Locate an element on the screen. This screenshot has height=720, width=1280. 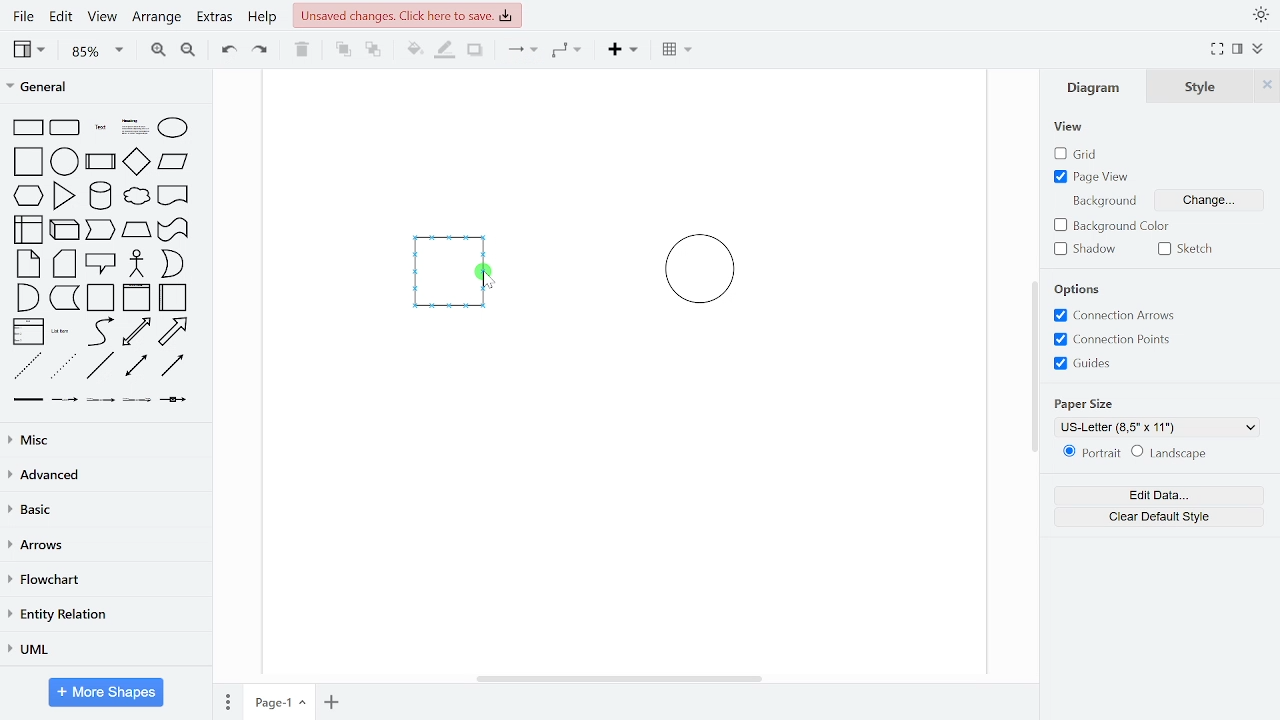
curve is located at coordinates (101, 331).